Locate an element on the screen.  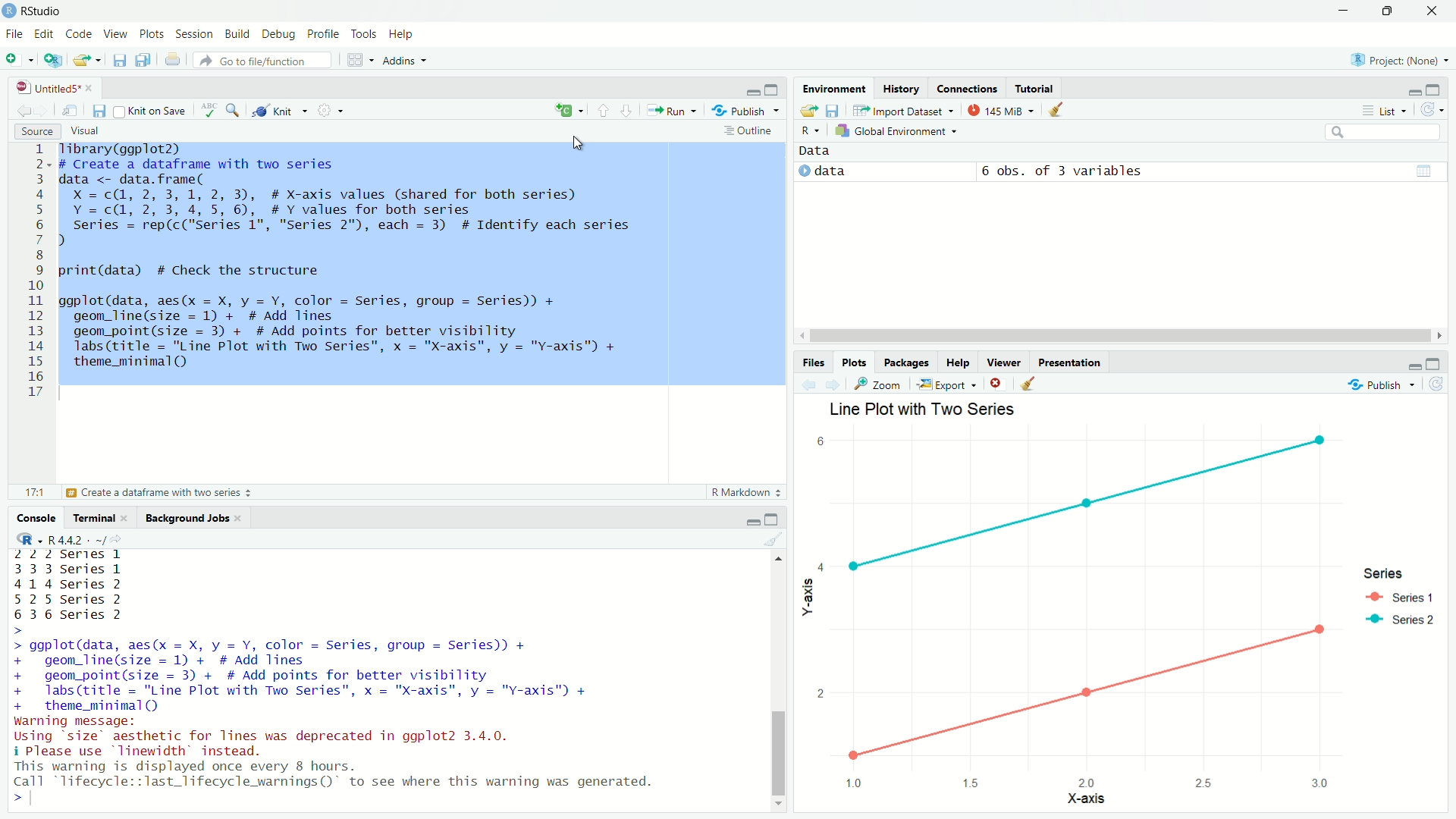
Pacakges is located at coordinates (905, 362).